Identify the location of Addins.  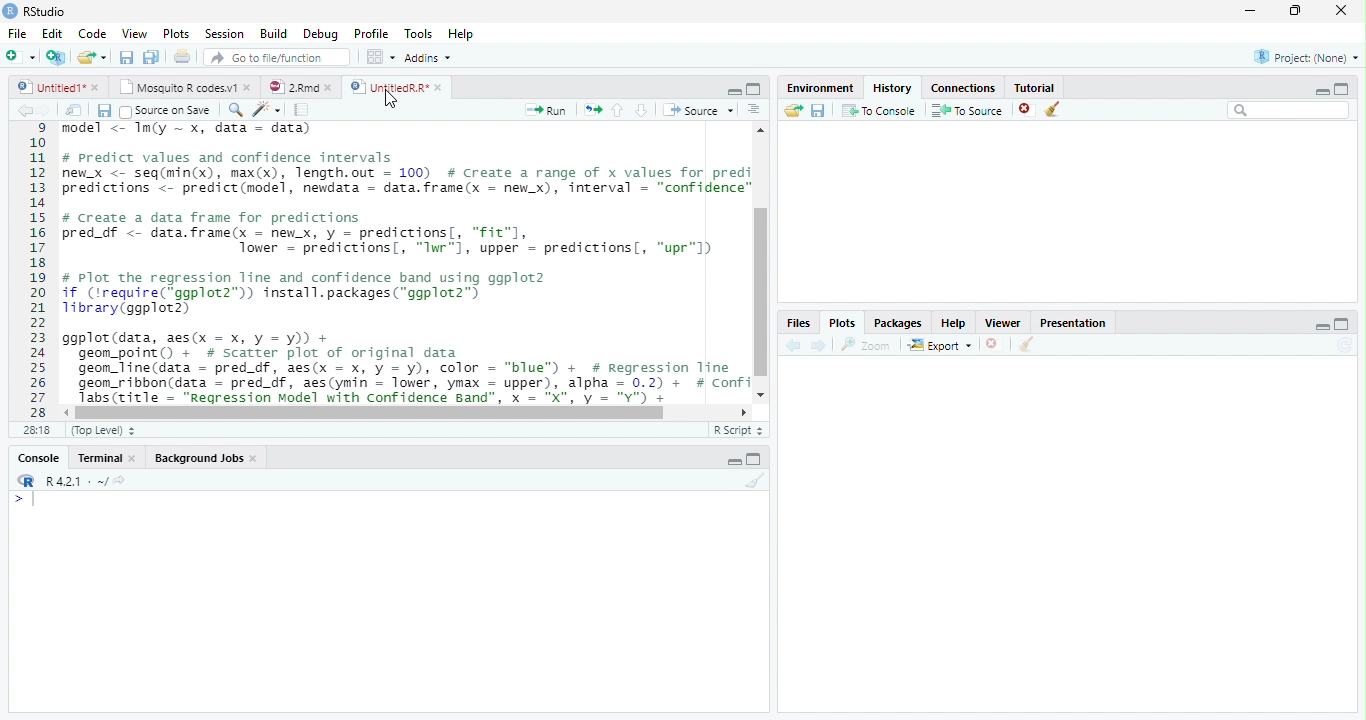
(429, 57).